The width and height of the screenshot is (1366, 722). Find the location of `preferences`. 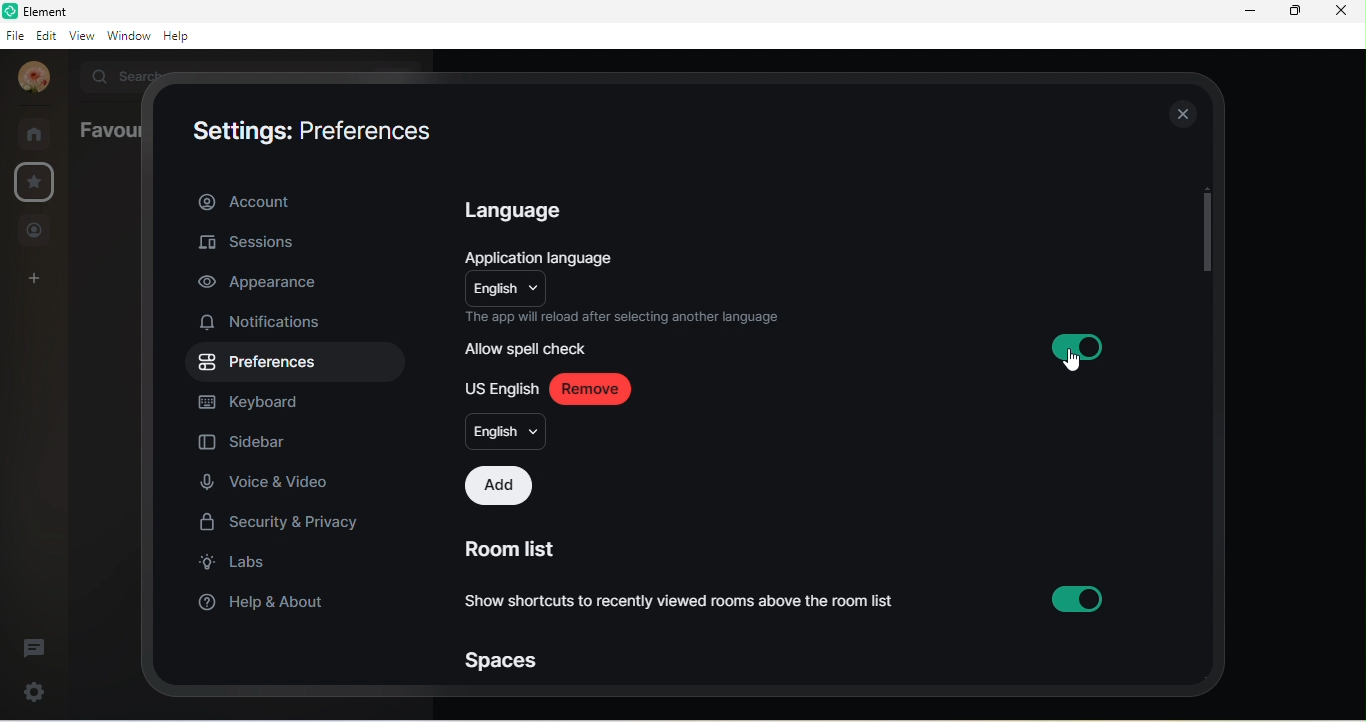

preferences is located at coordinates (259, 362).